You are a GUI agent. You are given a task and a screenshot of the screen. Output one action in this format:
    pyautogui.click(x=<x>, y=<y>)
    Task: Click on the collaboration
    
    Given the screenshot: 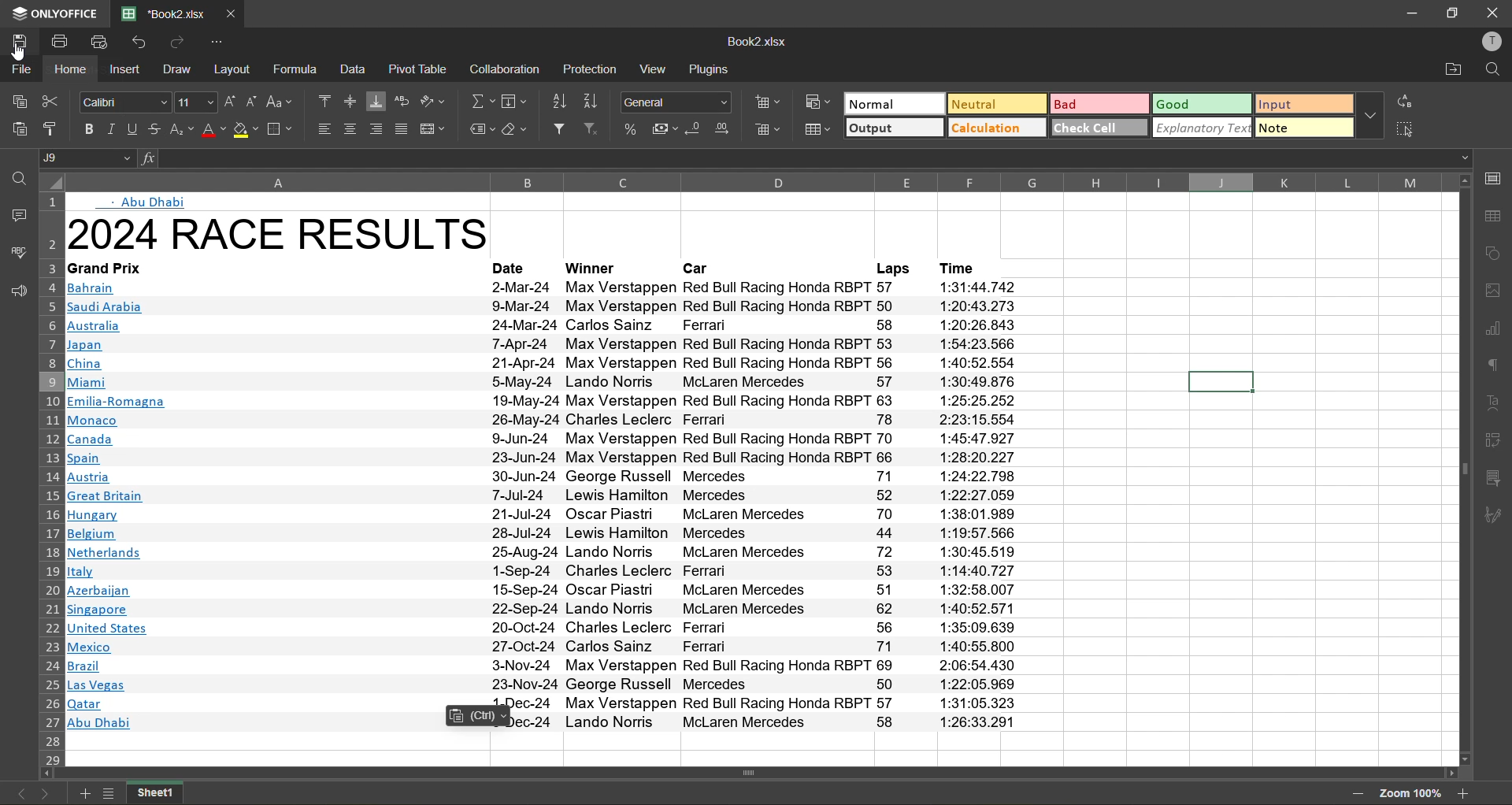 What is the action you would take?
    pyautogui.click(x=505, y=73)
    